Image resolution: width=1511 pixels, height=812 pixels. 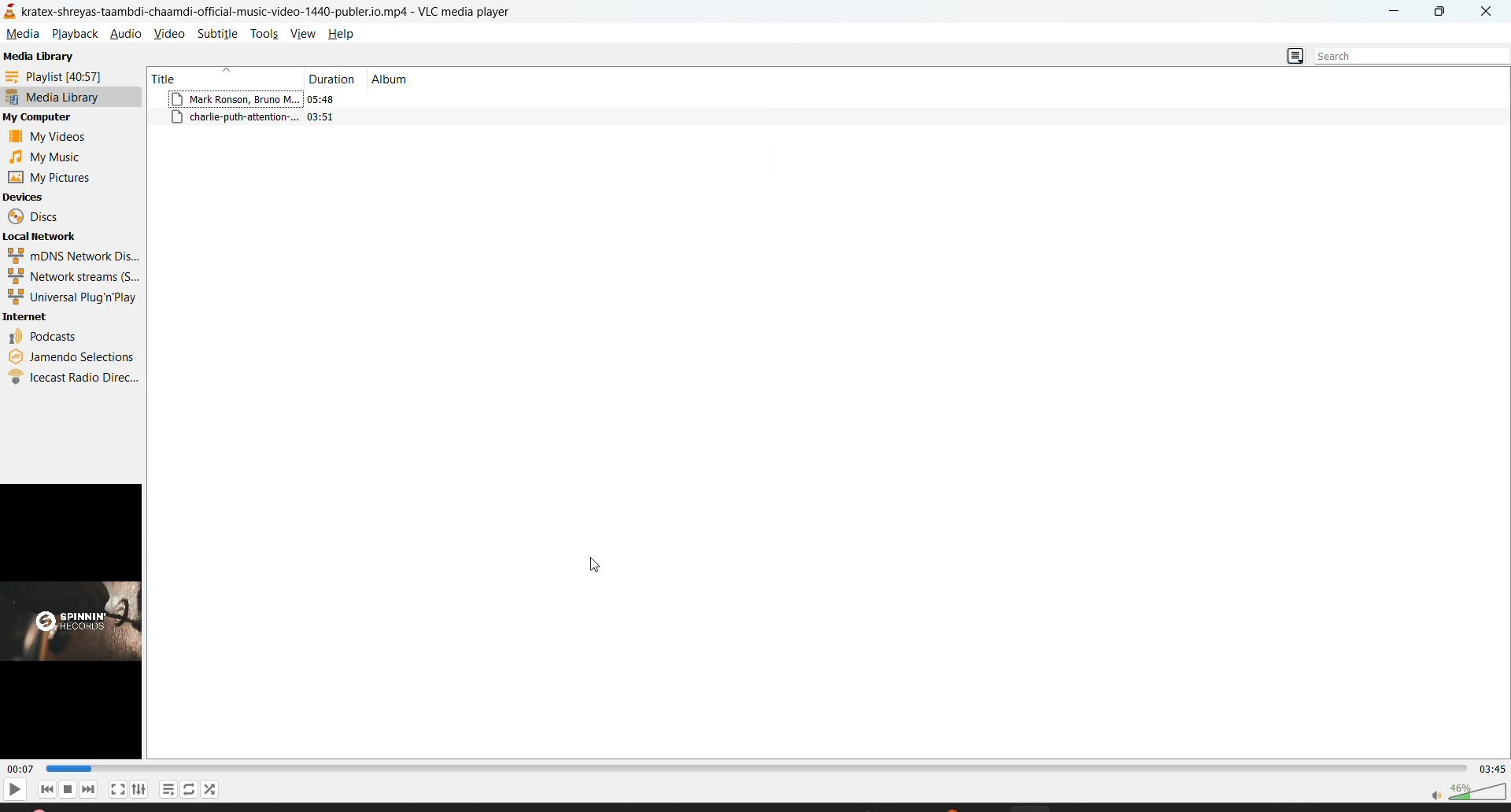 What do you see at coordinates (305, 35) in the screenshot?
I see `view` at bounding box center [305, 35].